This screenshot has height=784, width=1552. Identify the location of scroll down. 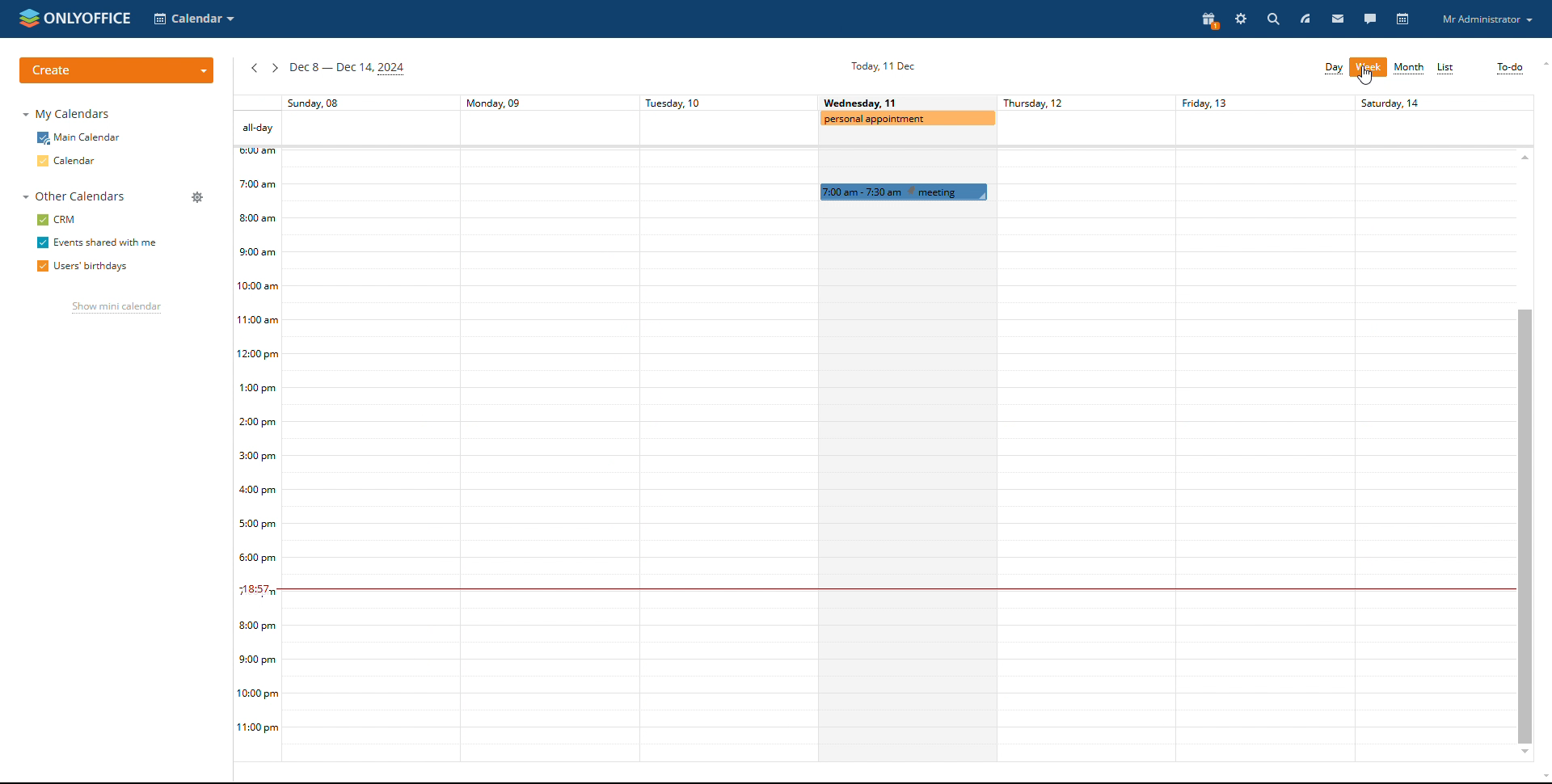
(1542, 778).